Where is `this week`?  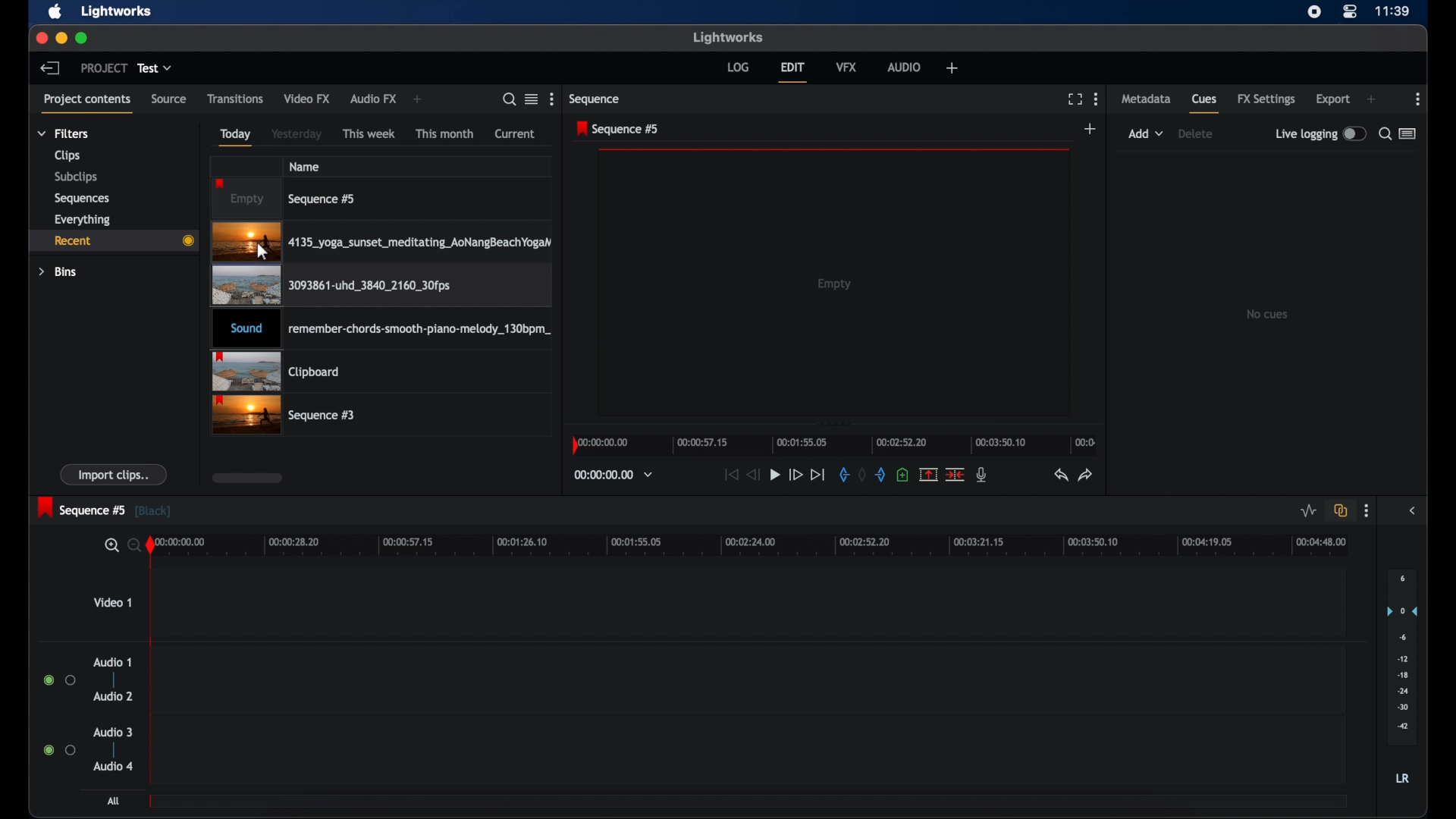 this week is located at coordinates (369, 134).